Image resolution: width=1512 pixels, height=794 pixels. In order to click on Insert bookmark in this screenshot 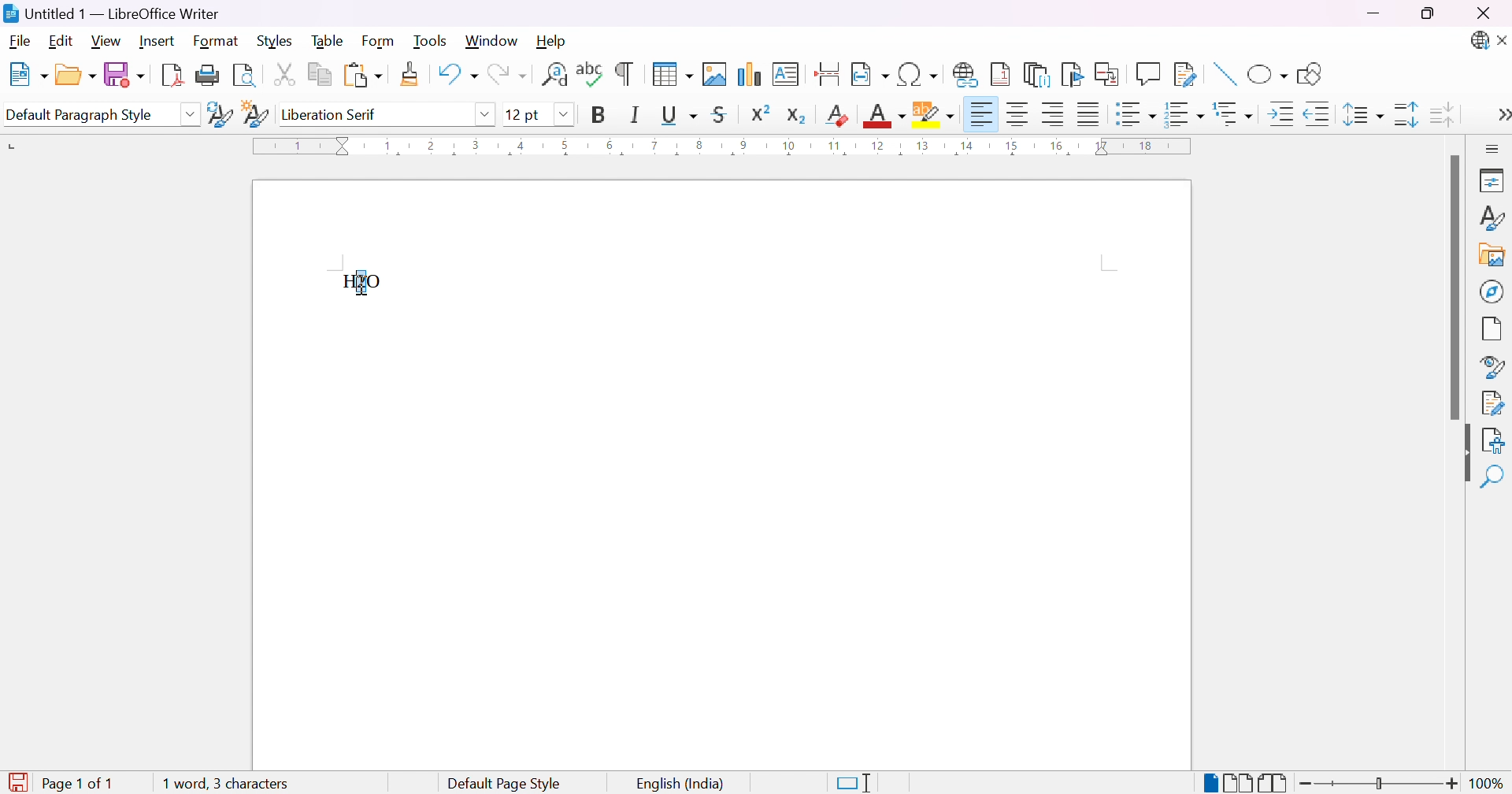, I will do `click(1073, 74)`.